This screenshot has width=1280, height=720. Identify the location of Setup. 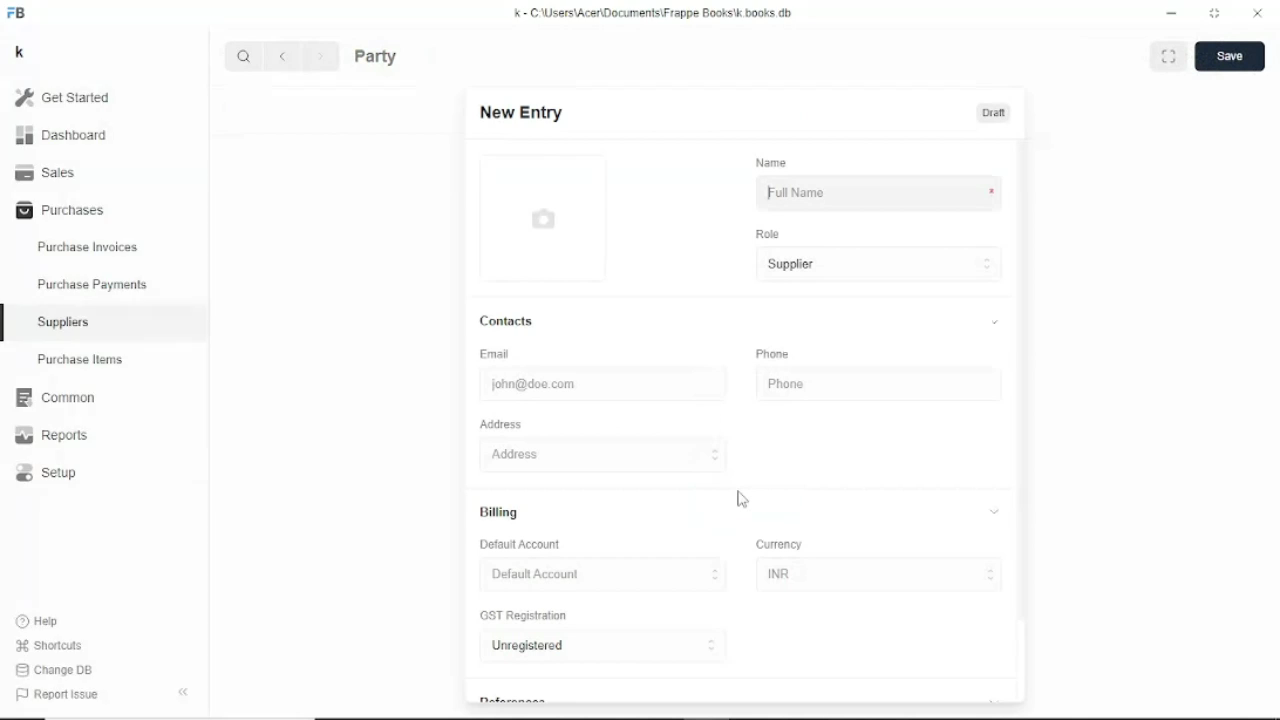
(46, 473).